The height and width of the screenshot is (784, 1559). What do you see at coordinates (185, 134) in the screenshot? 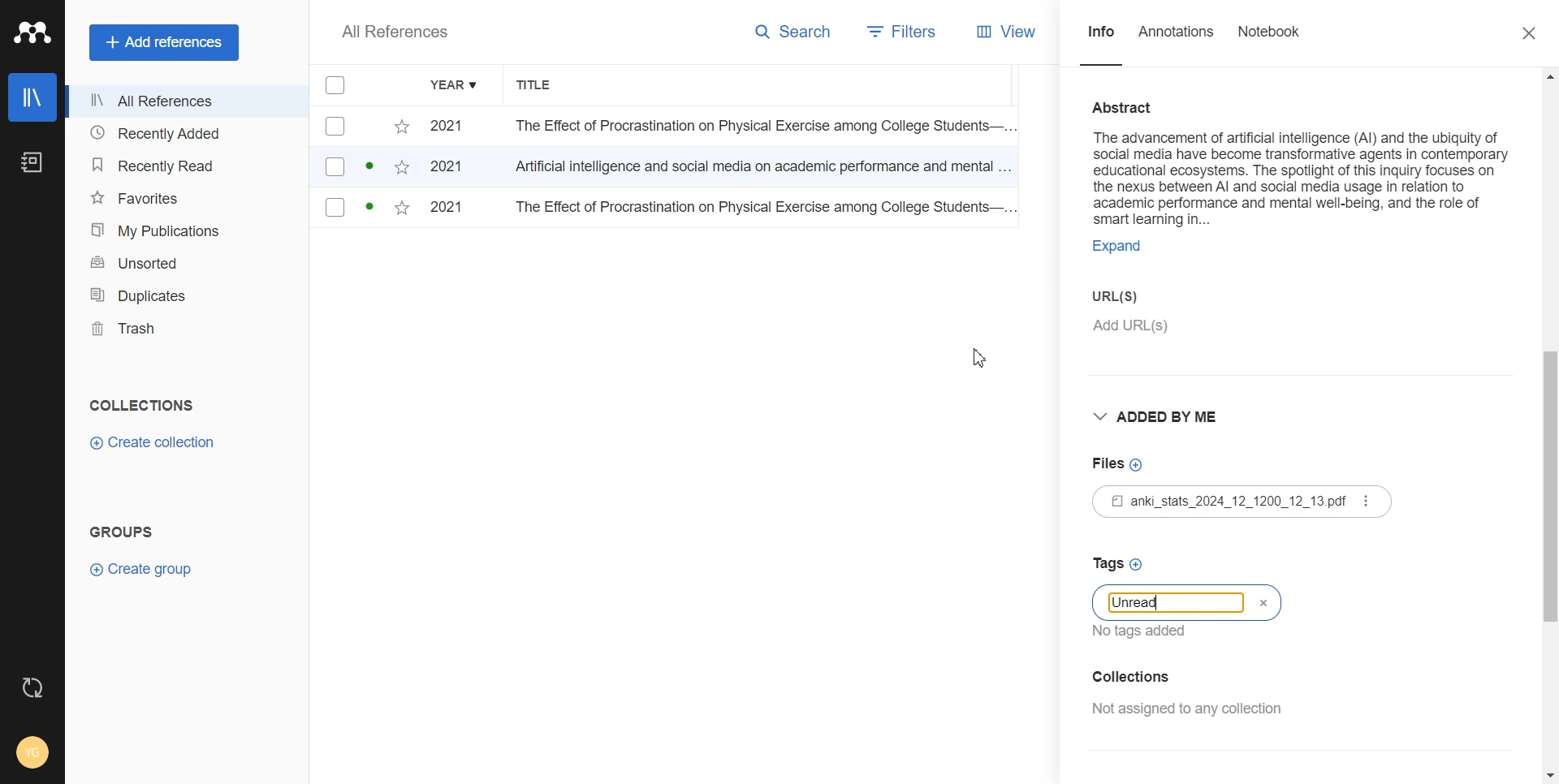
I see `Recently added` at bounding box center [185, 134].